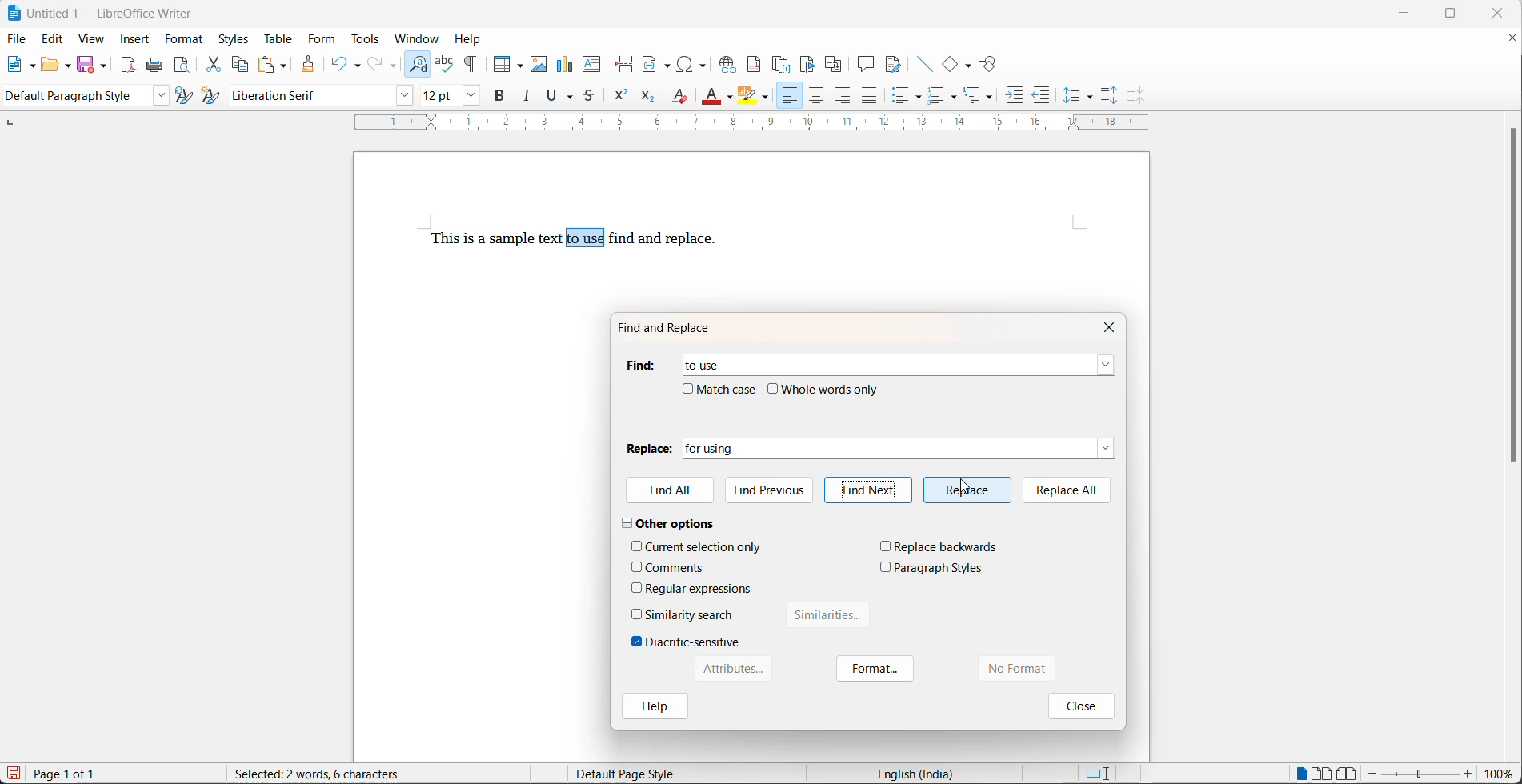 This screenshot has height=784, width=1522. What do you see at coordinates (1067, 489) in the screenshot?
I see `replace all` at bounding box center [1067, 489].